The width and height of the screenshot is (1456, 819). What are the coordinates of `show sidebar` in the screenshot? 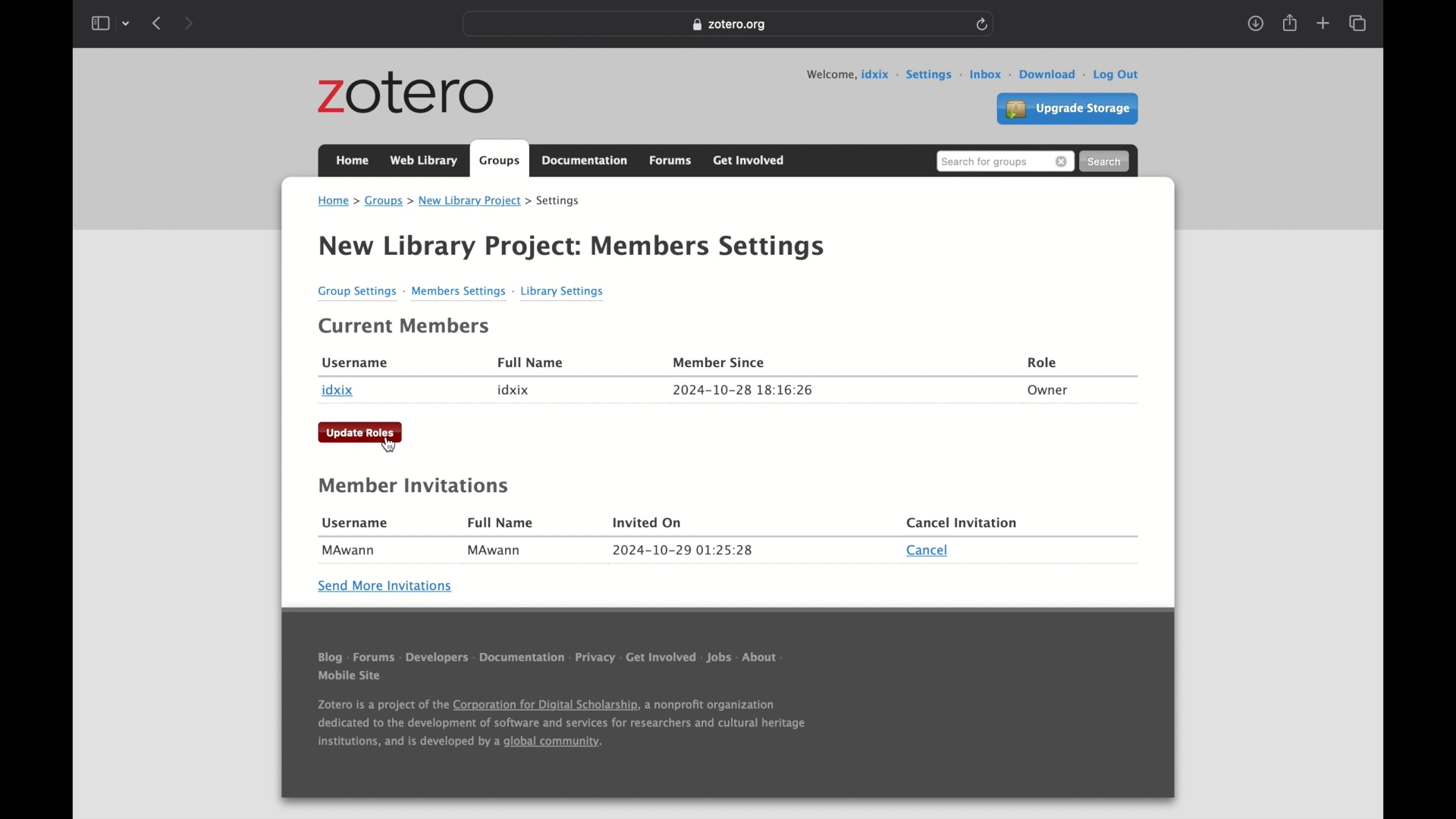 It's located at (99, 23).